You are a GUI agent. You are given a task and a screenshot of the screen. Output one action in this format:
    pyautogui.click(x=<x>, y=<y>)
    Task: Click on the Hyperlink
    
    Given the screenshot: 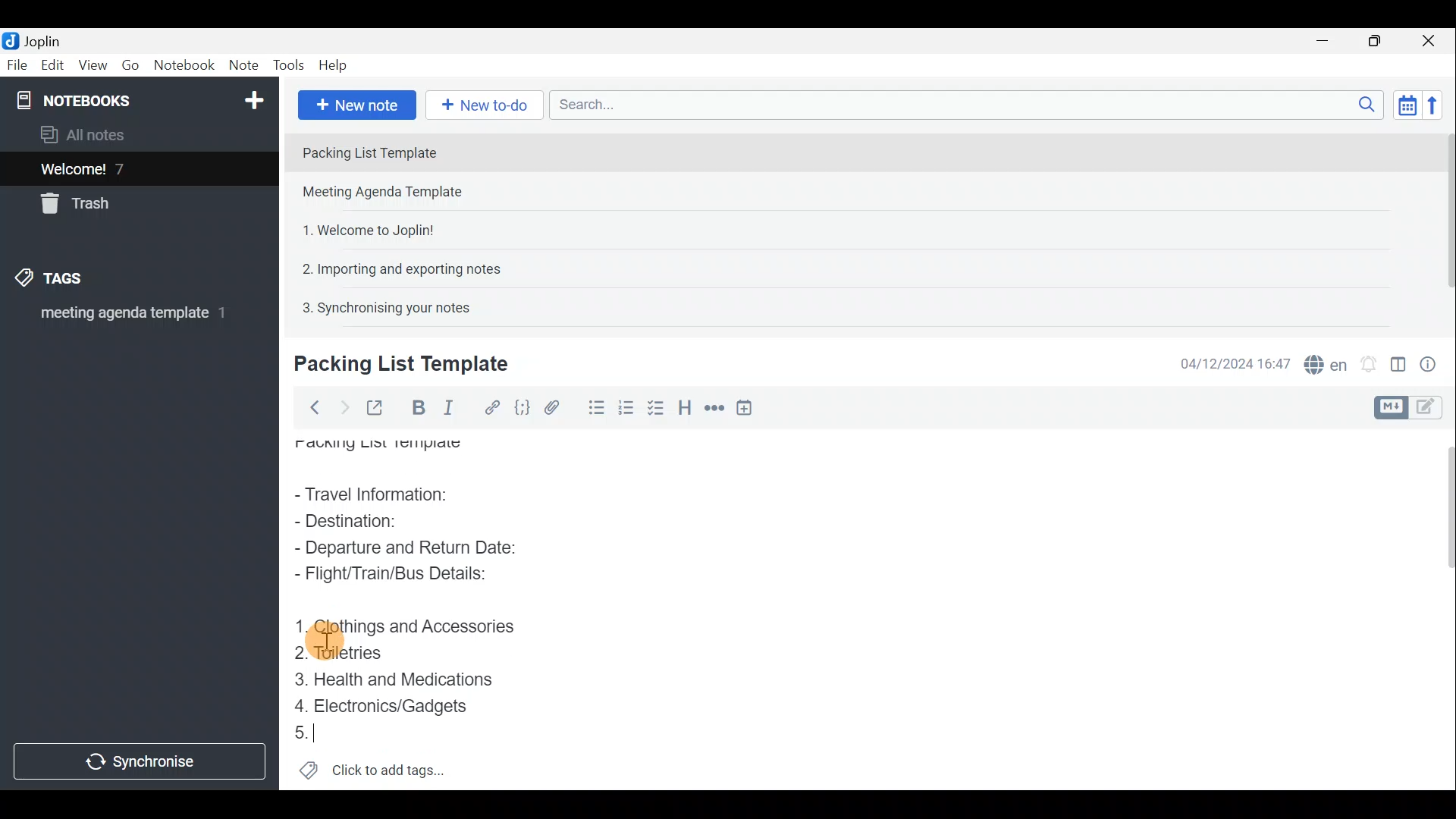 What is the action you would take?
    pyautogui.click(x=489, y=406)
    